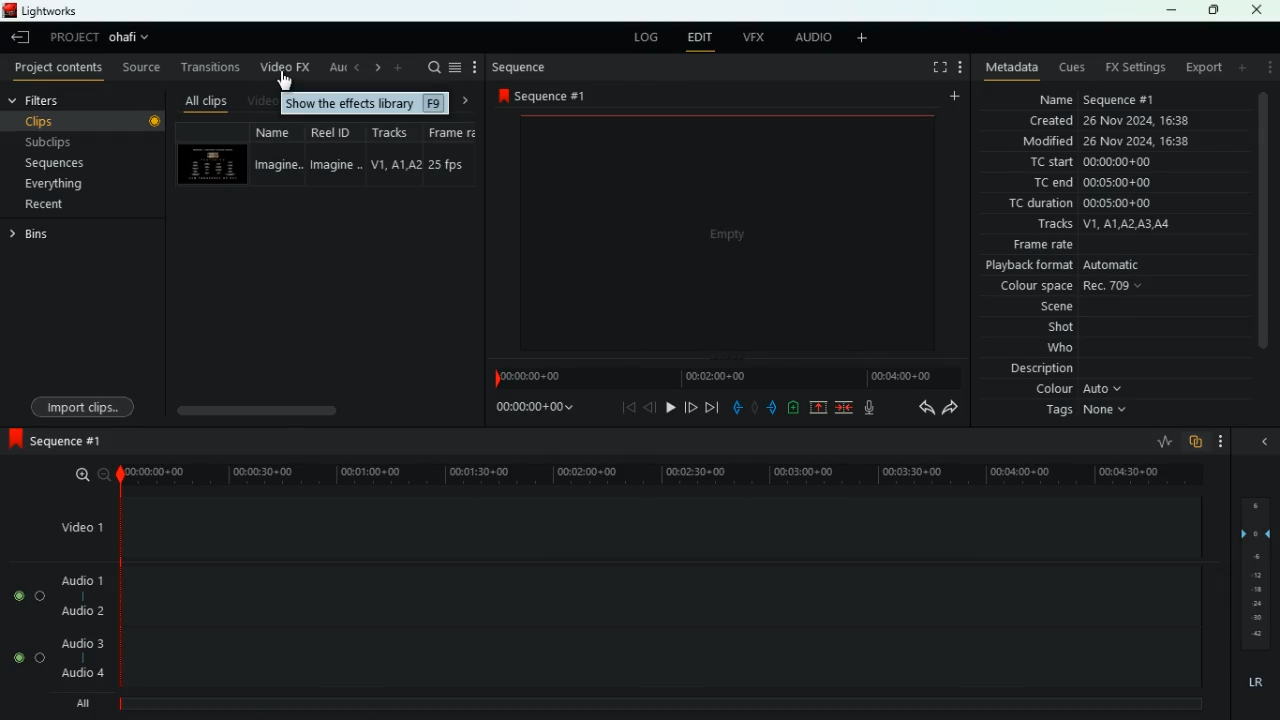 The image size is (1280, 720). What do you see at coordinates (102, 474) in the screenshot?
I see `zoom out` at bounding box center [102, 474].